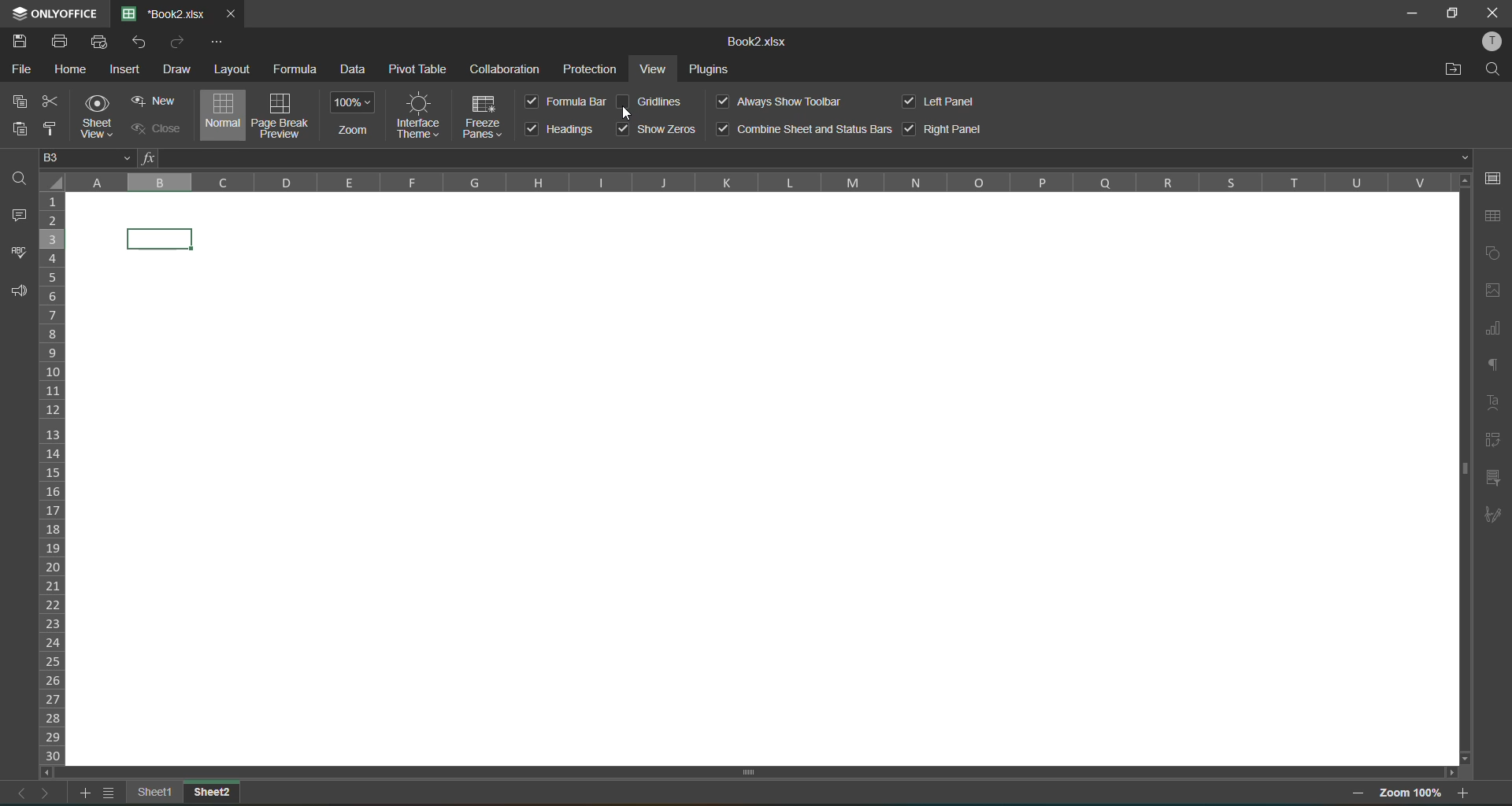  Describe the element at coordinates (1414, 14) in the screenshot. I see `minimize` at that location.